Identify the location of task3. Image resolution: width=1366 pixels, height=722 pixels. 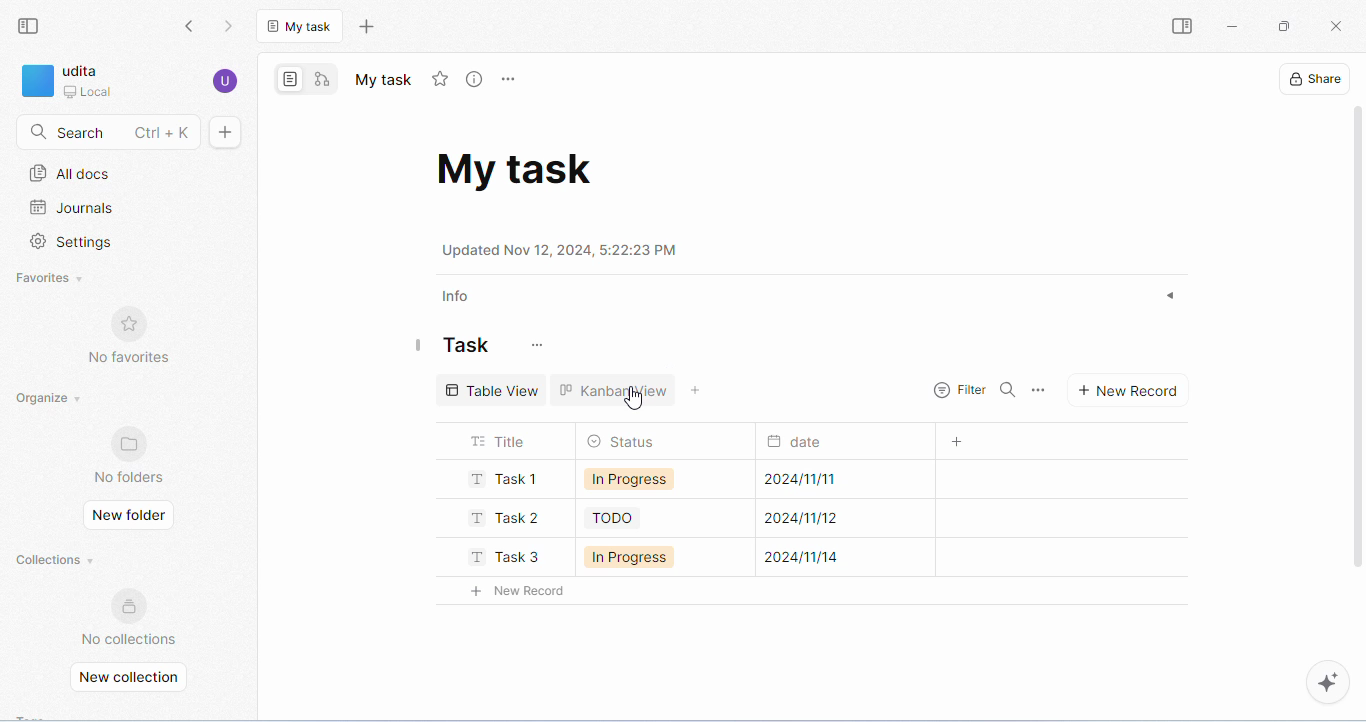
(499, 557).